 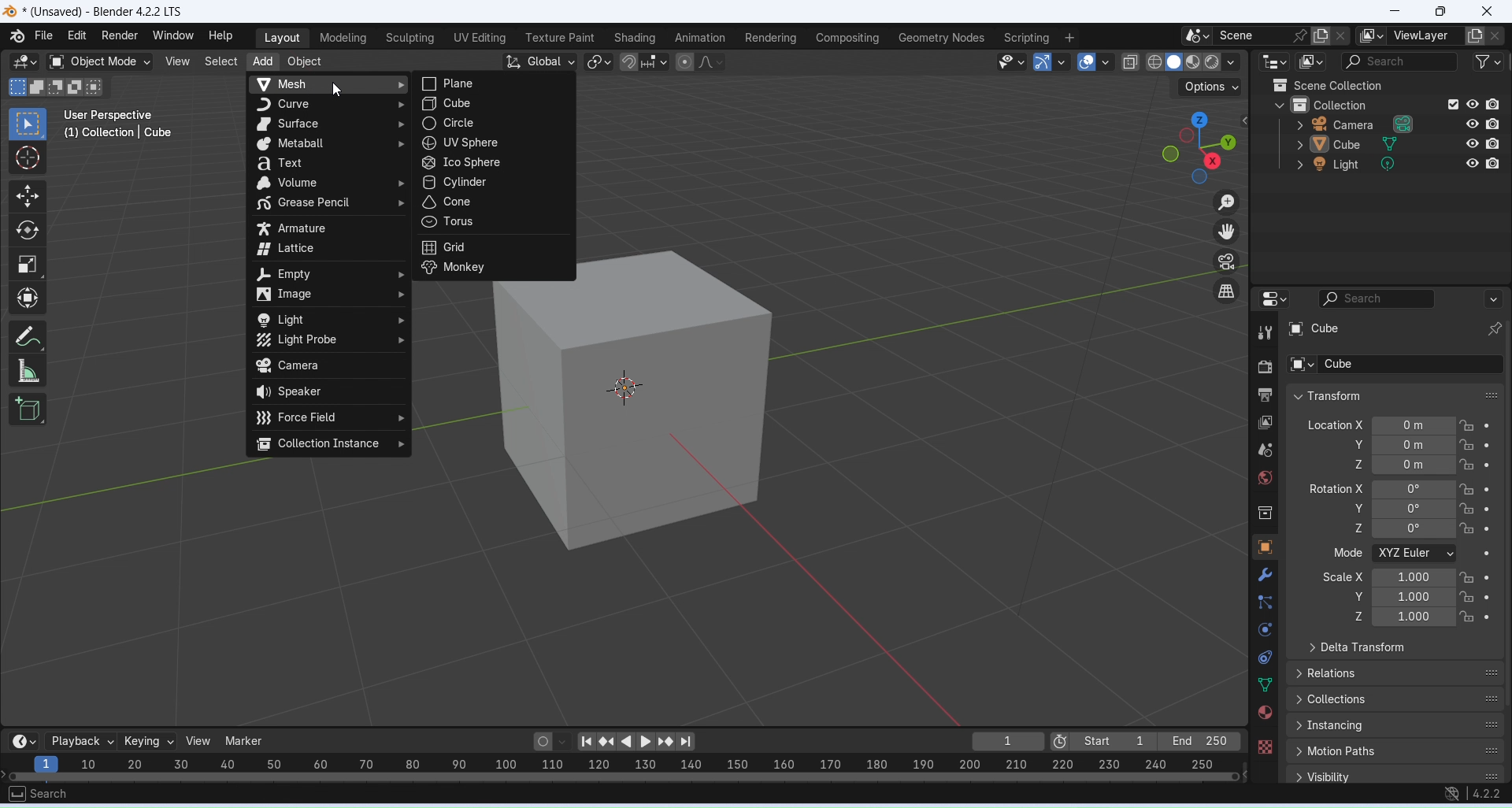 What do you see at coordinates (1264, 547) in the screenshot?
I see `Object` at bounding box center [1264, 547].